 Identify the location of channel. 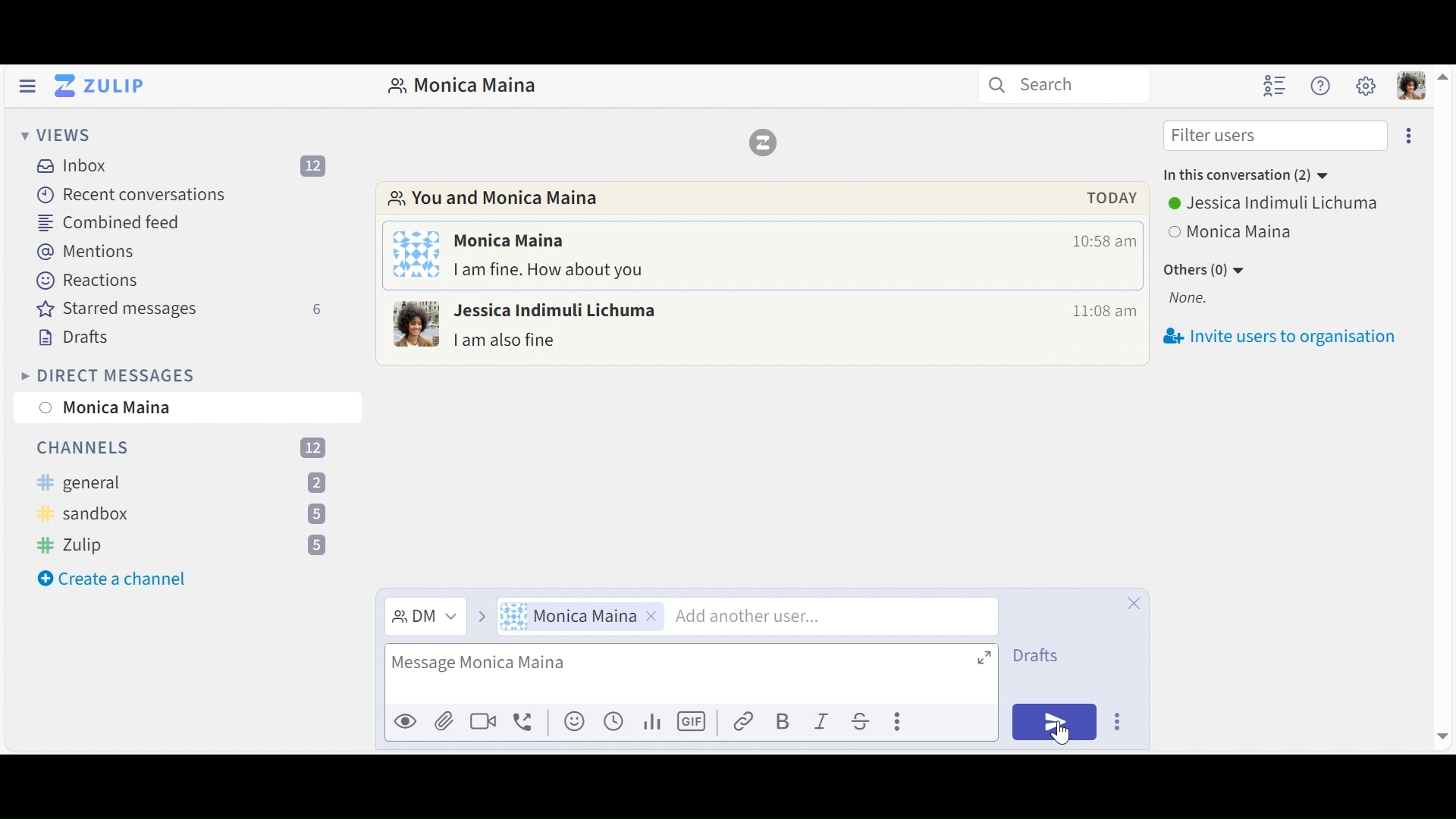
(181, 482).